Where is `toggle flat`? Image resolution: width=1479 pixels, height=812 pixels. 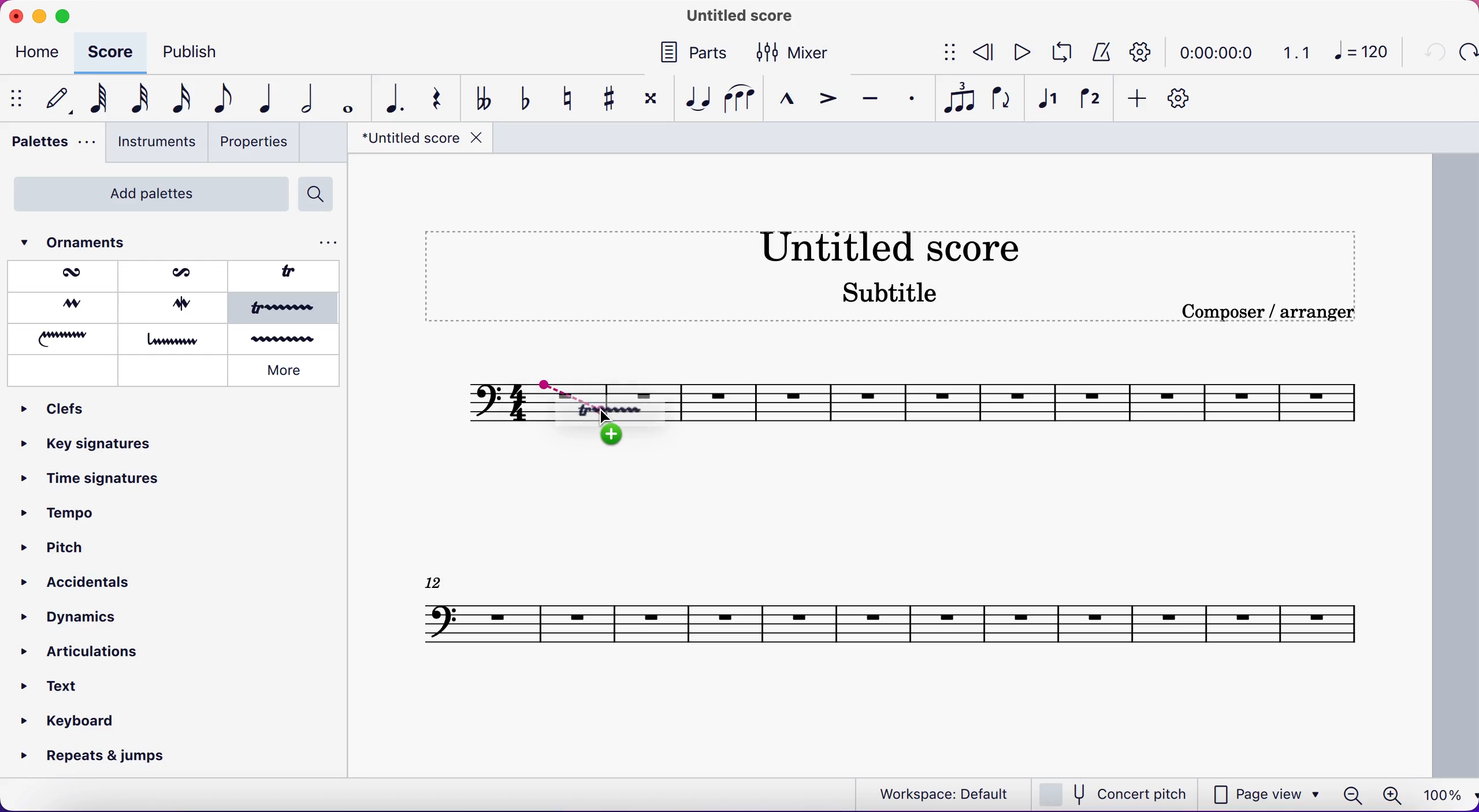
toggle flat is located at coordinates (523, 99).